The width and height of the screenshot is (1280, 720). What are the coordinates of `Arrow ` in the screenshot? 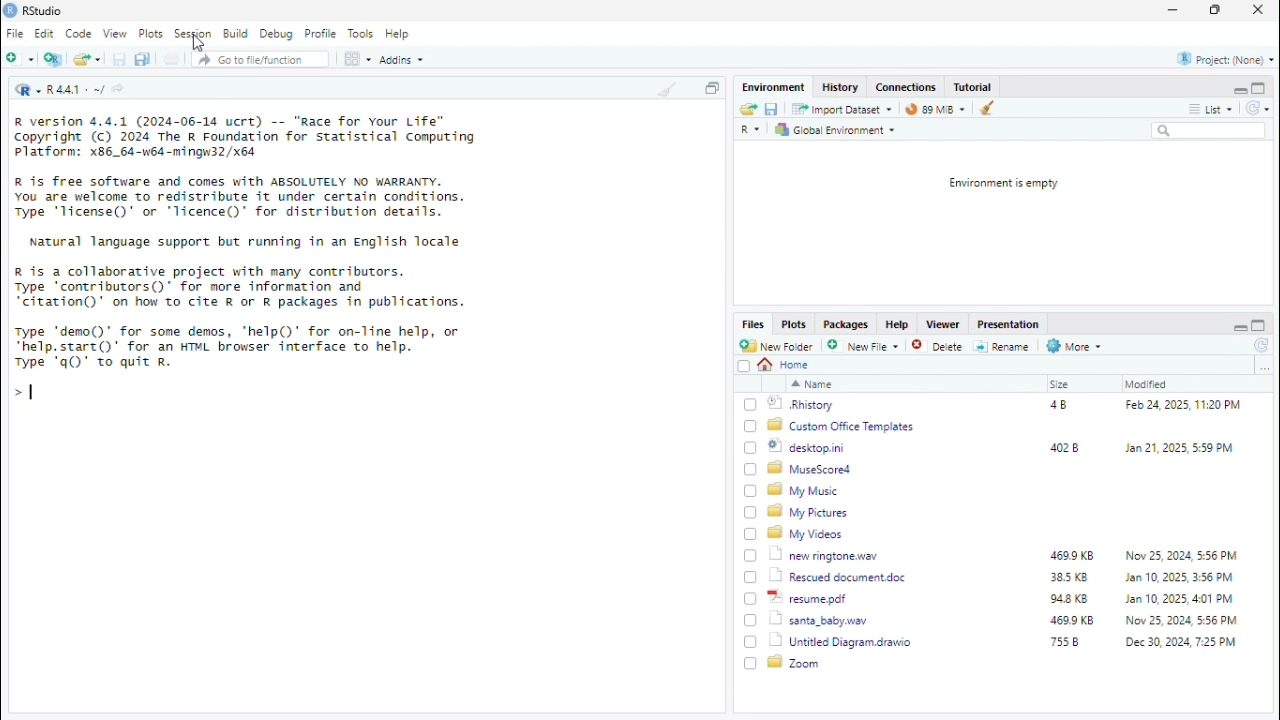 It's located at (17, 391).